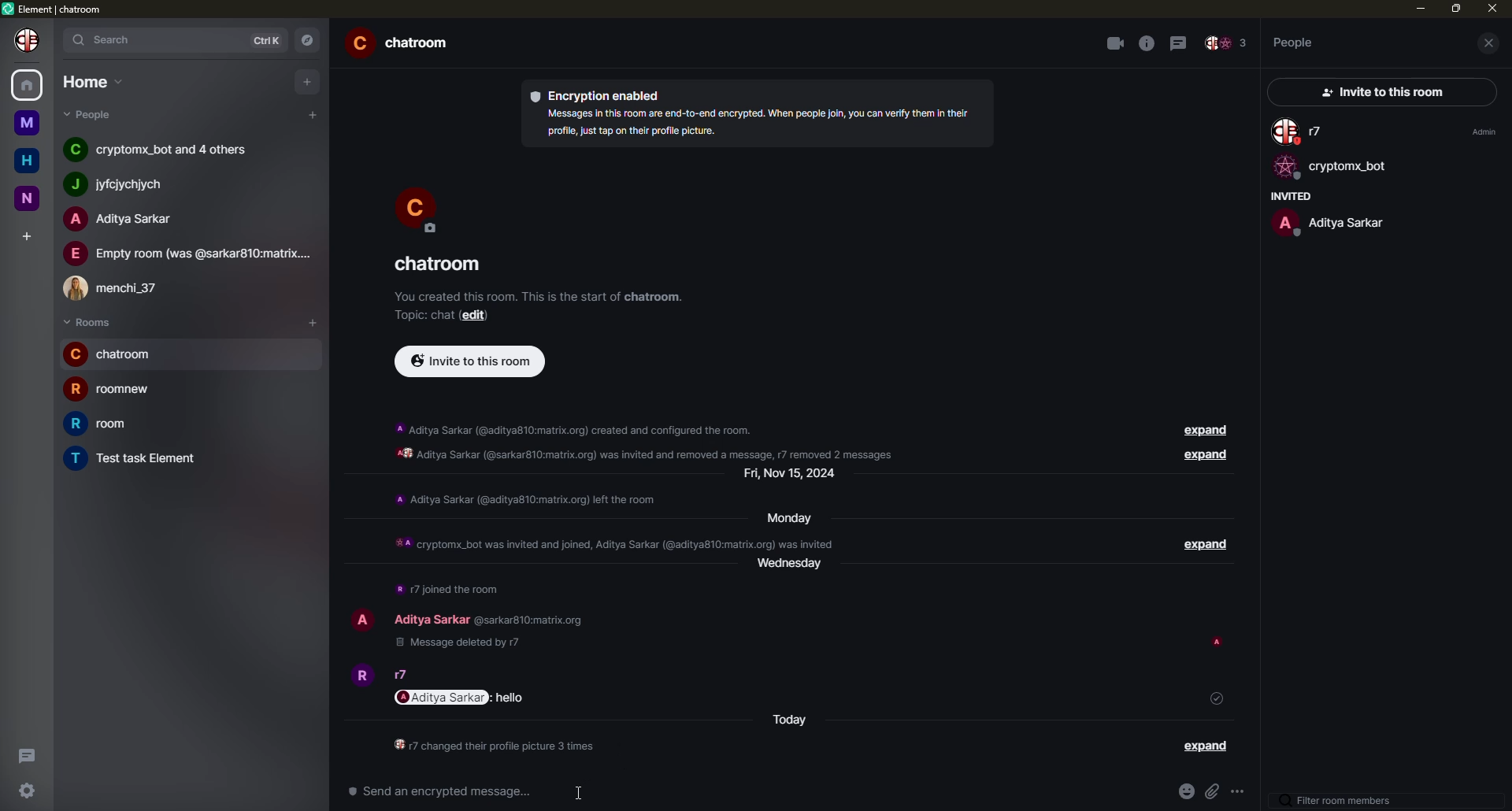 Image resolution: width=1512 pixels, height=811 pixels. What do you see at coordinates (1301, 132) in the screenshot?
I see `people` at bounding box center [1301, 132].